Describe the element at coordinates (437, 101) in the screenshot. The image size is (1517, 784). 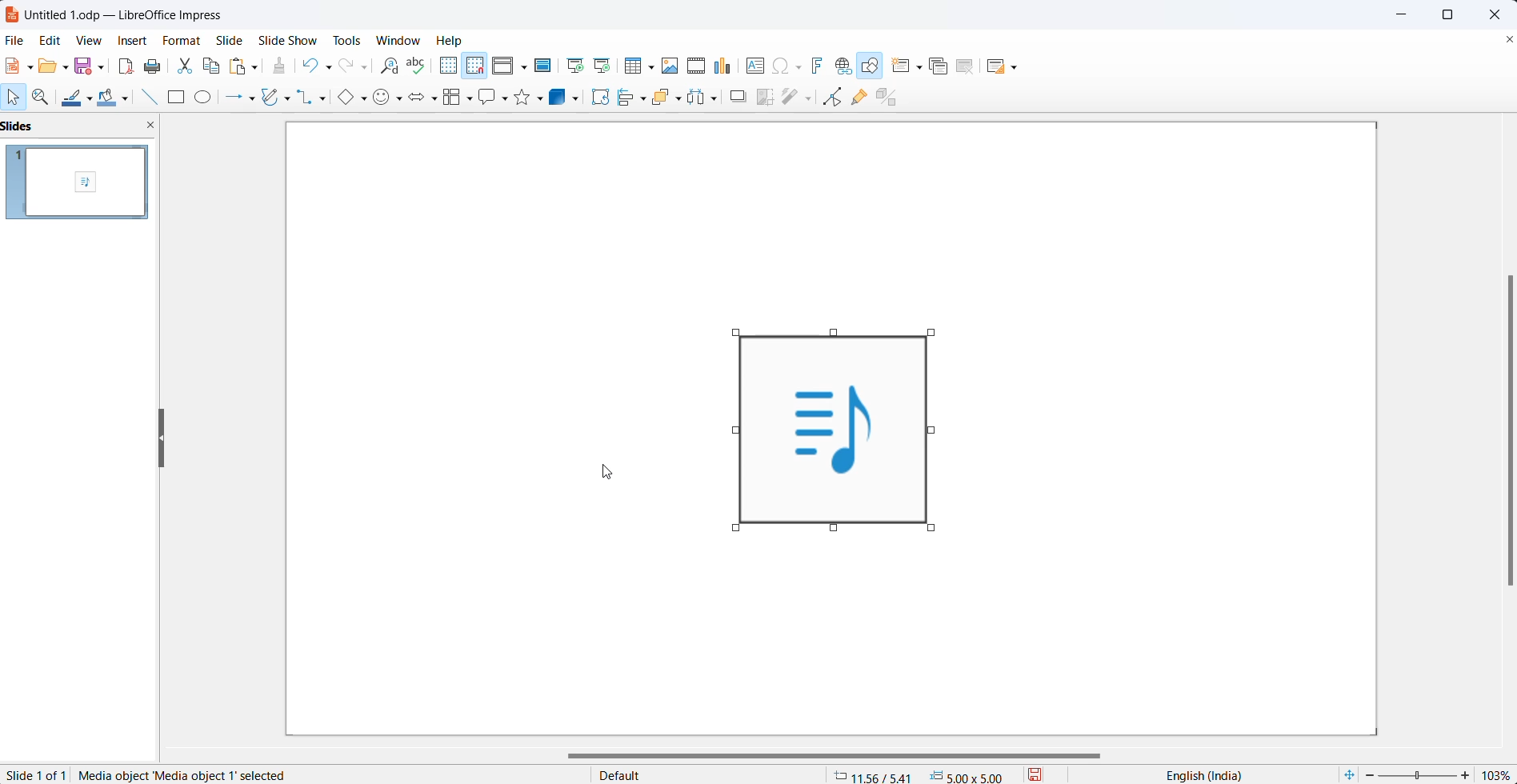
I see `block arrows options ` at that location.